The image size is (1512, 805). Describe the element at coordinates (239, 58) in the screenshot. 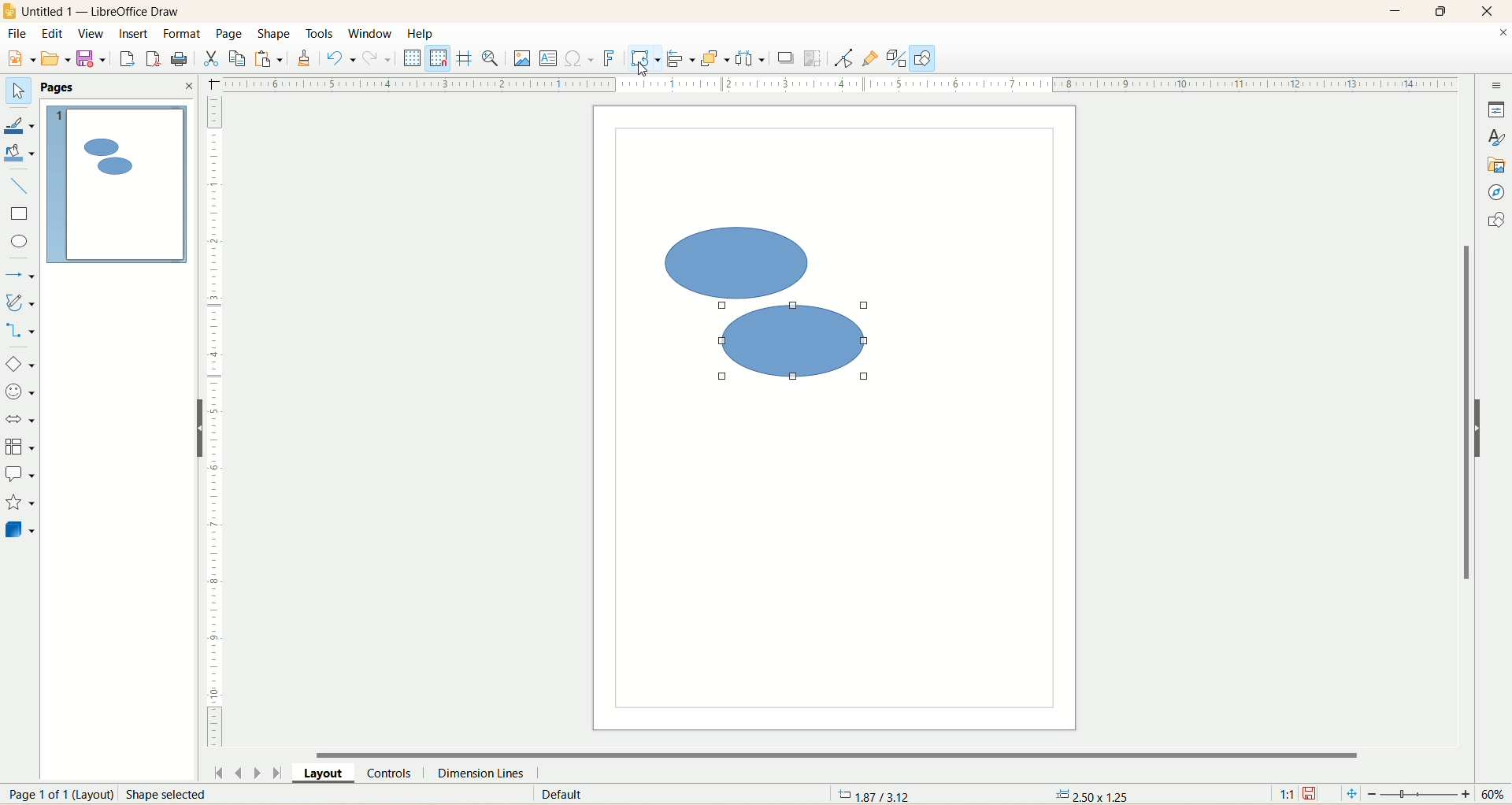

I see `copy` at that location.